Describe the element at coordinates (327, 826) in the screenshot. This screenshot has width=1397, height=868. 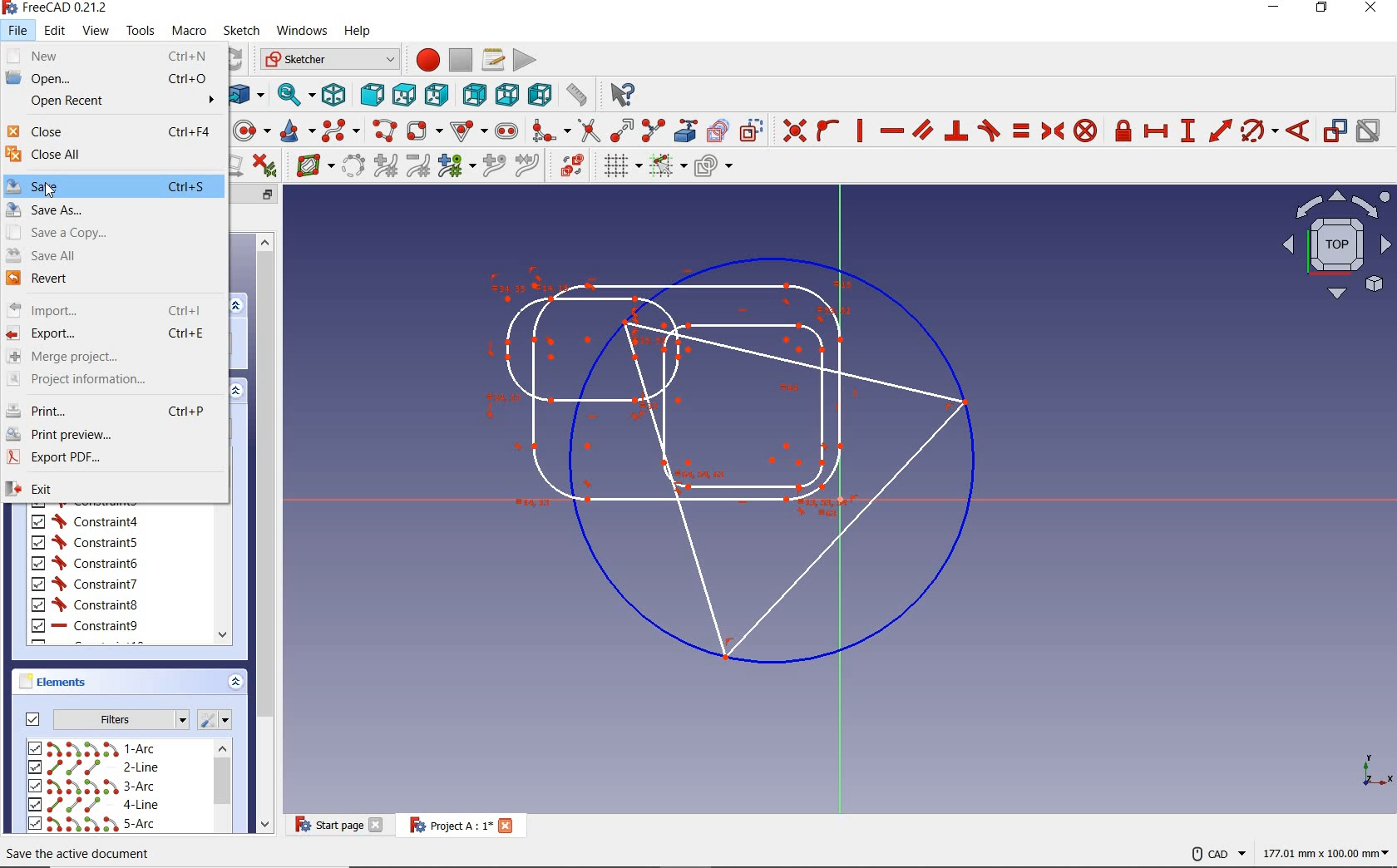
I see `start page` at that location.